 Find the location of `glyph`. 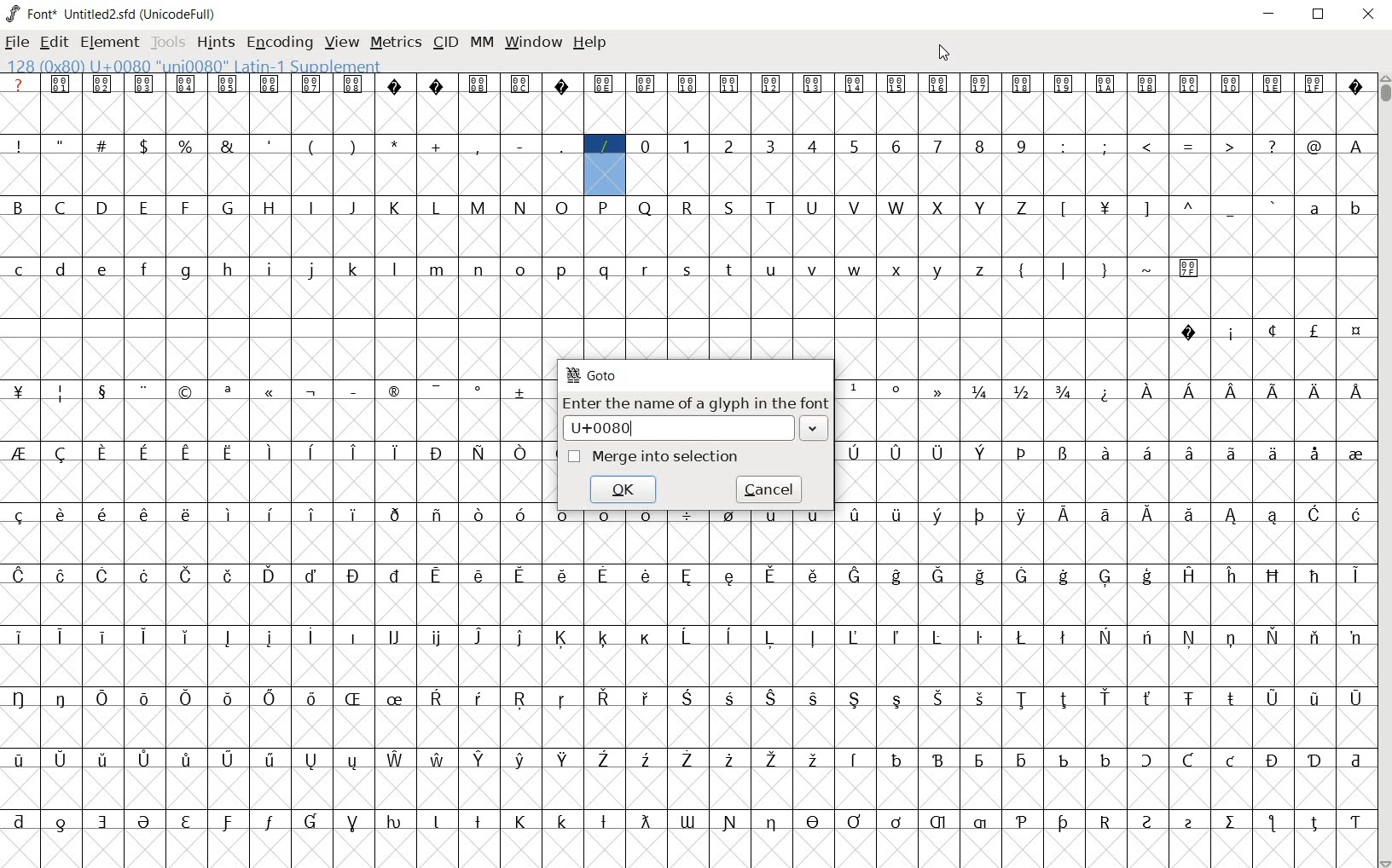

glyph is located at coordinates (937, 822).